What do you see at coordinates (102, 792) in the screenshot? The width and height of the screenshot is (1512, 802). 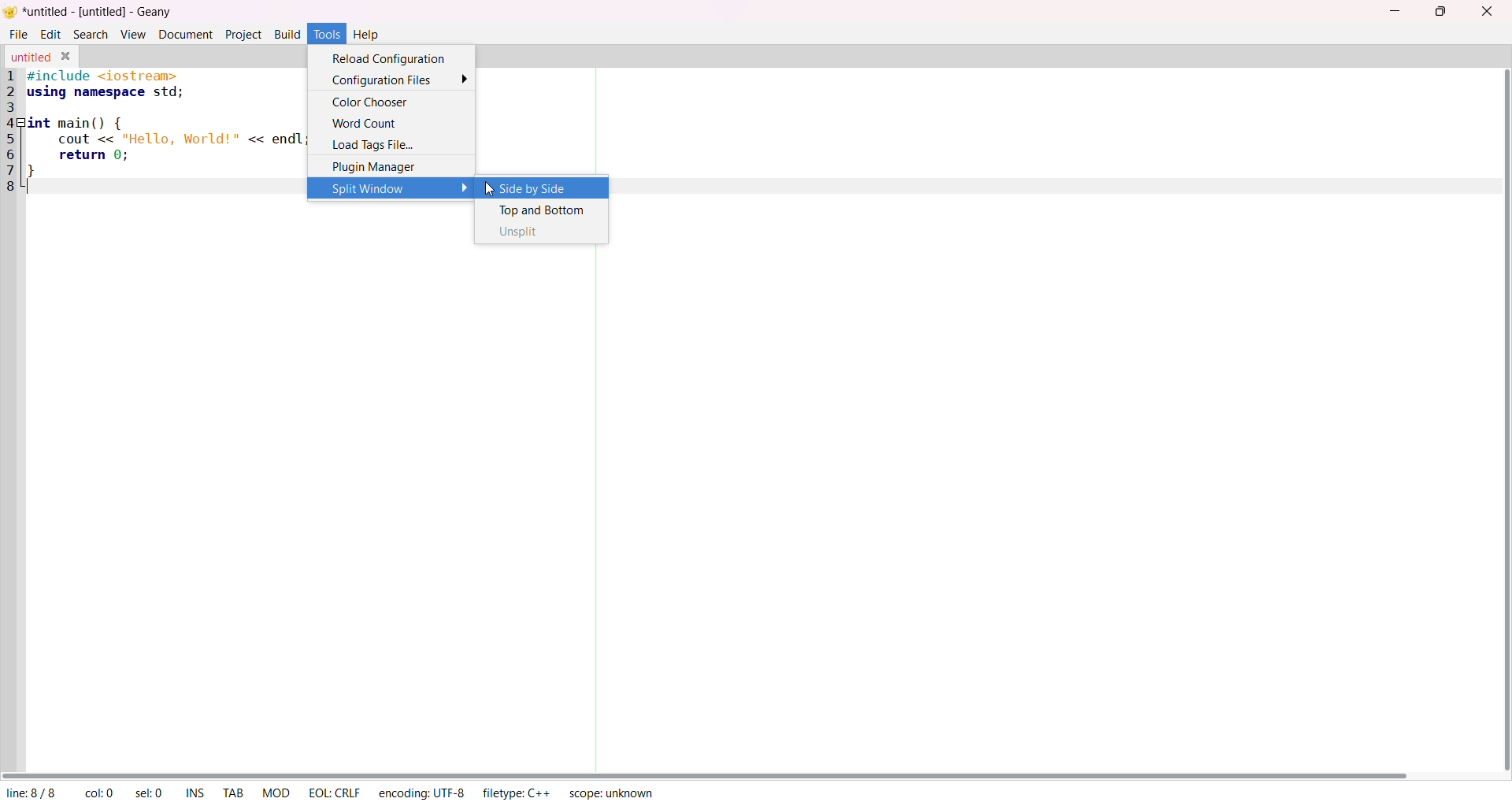 I see `col: 0` at bounding box center [102, 792].